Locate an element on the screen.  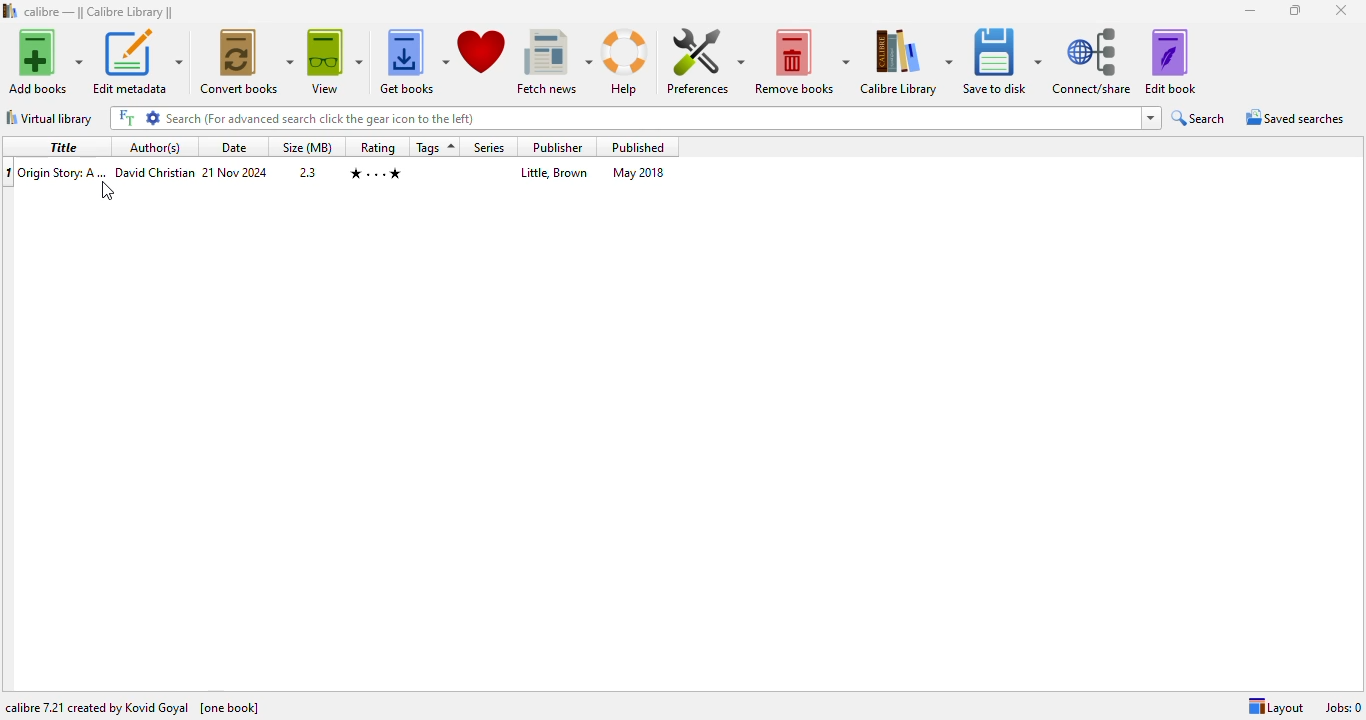
edit metadata is located at coordinates (137, 61).